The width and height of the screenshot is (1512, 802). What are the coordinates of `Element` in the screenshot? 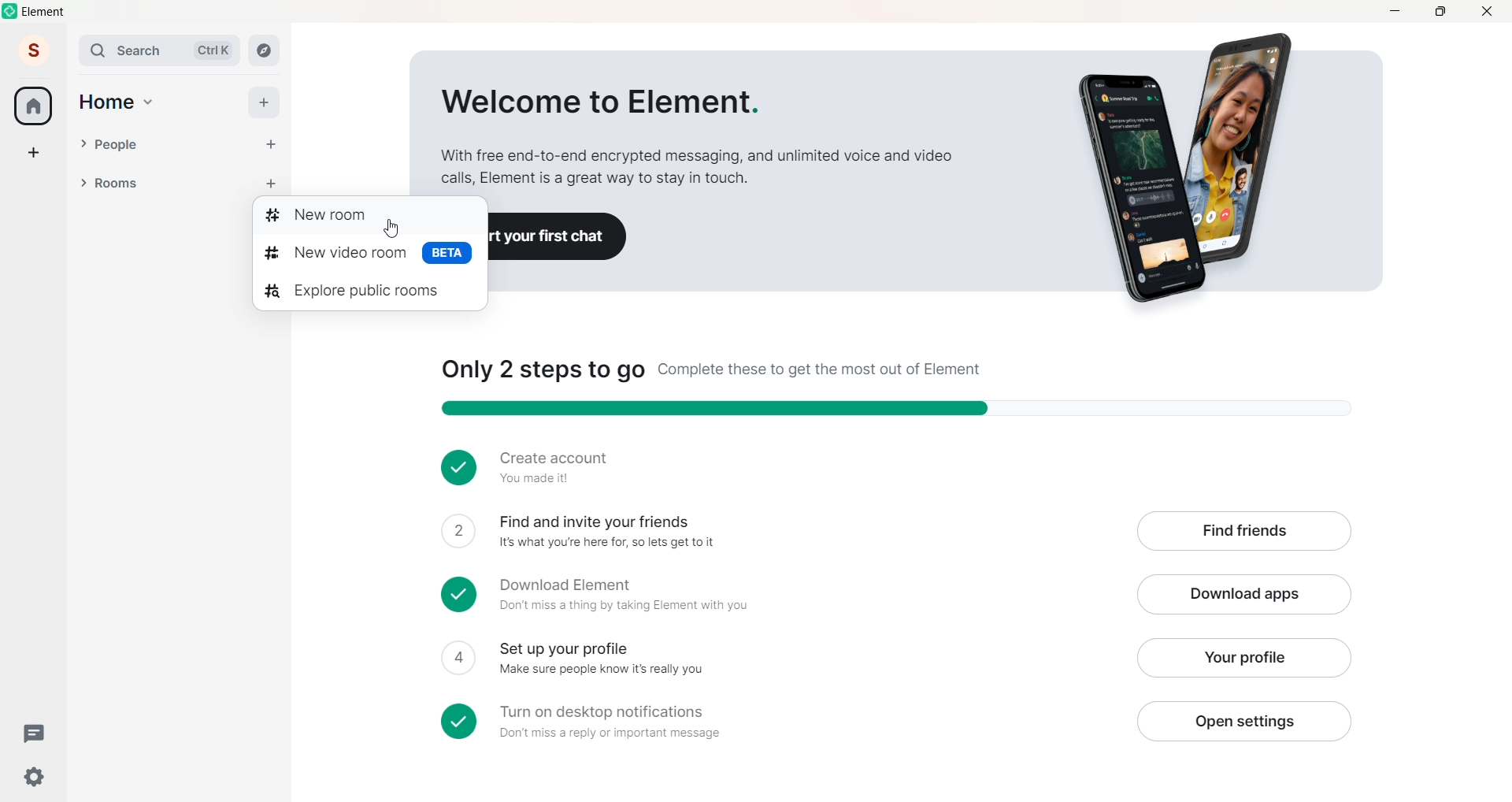 It's located at (46, 12).